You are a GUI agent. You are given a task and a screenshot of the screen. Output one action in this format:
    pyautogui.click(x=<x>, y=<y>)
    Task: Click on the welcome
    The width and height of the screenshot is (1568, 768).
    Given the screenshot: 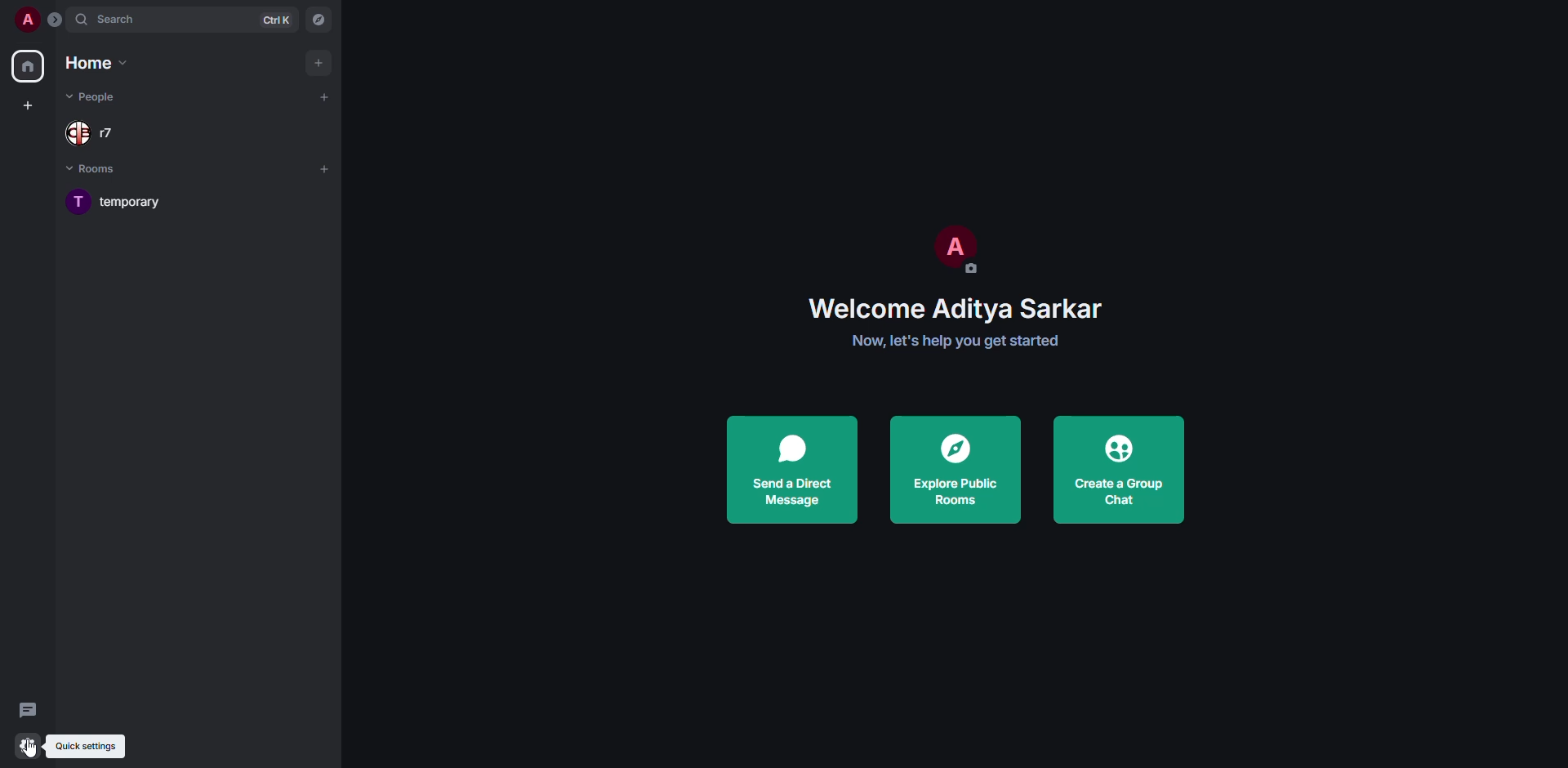 What is the action you would take?
    pyautogui.click(x=959, y=306)
    